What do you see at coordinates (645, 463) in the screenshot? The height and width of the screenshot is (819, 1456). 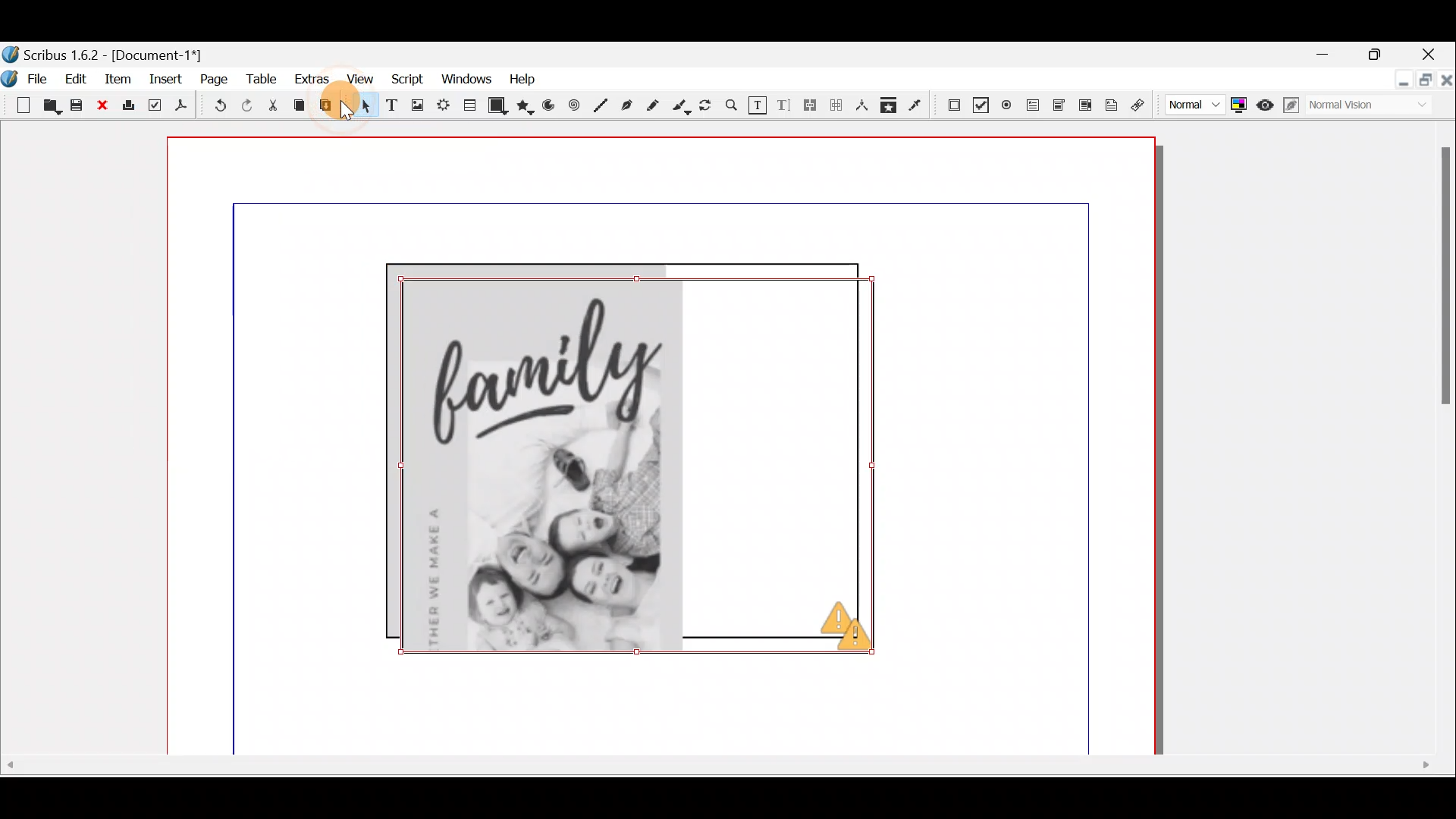 I see `Duplicate copy` at bounding box center [645, 463].